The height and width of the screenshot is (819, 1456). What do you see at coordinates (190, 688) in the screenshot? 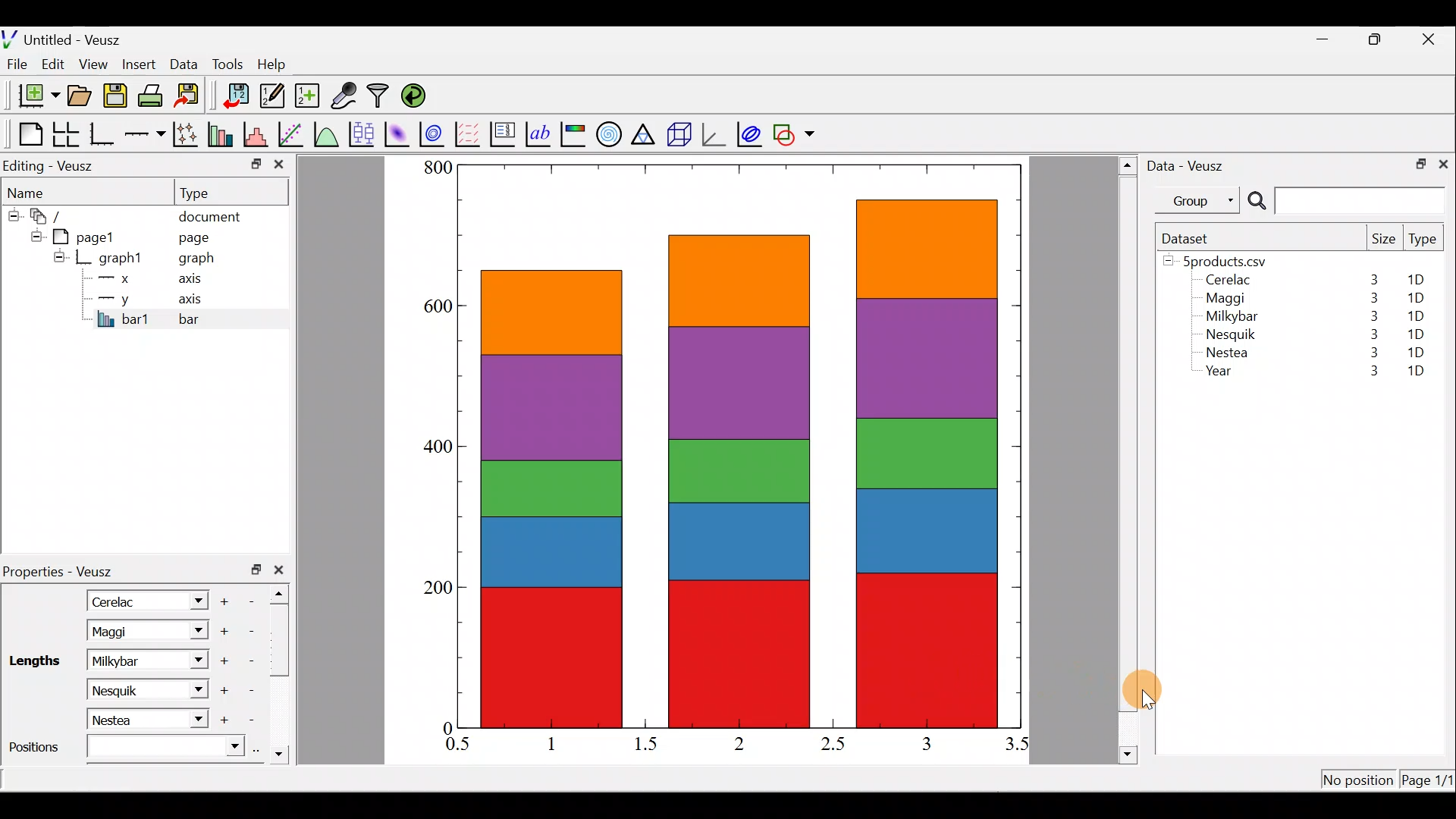
I see `Length dropdown` at bounding box center [190, 688].